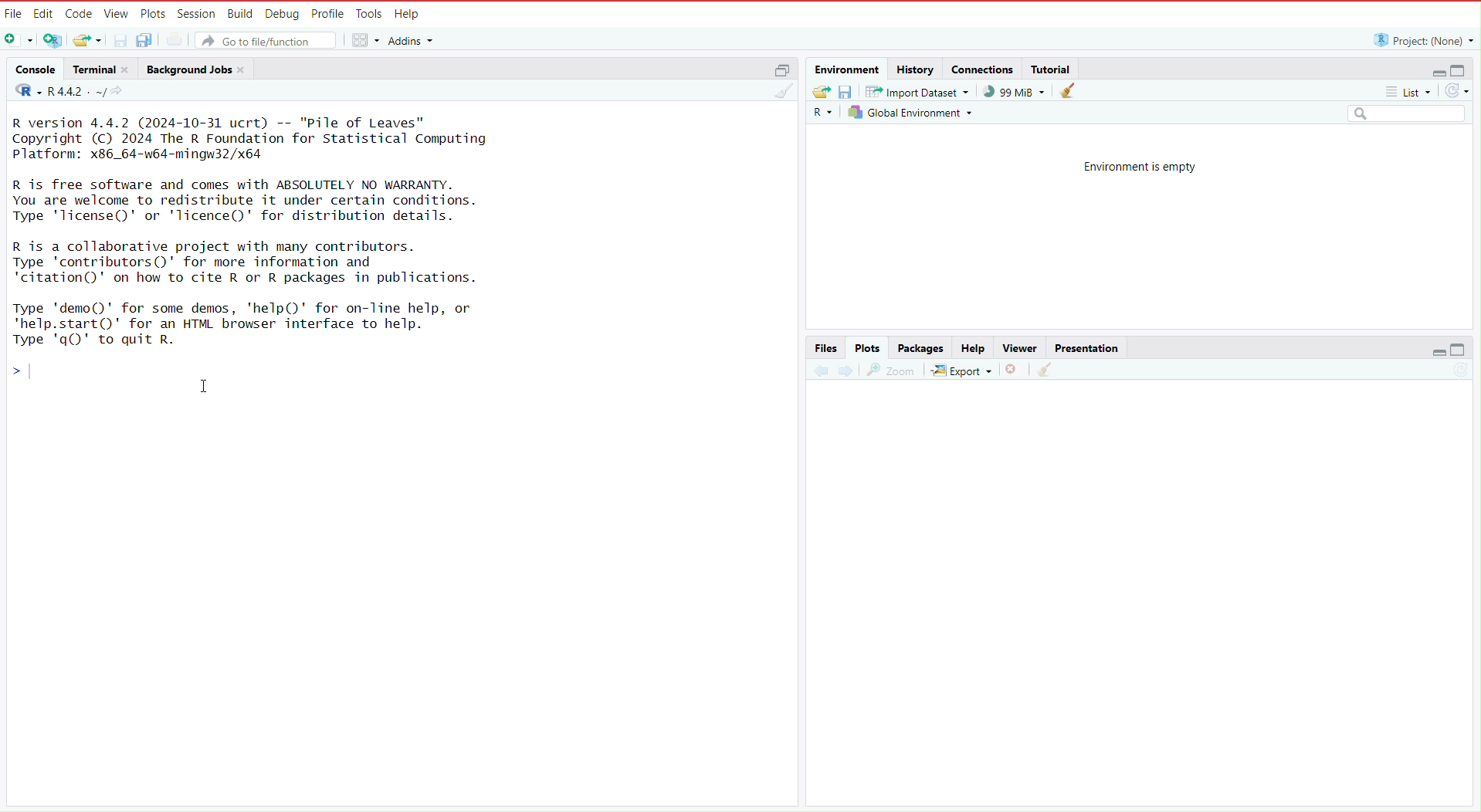  I want to click on debug, so click(281, 12).